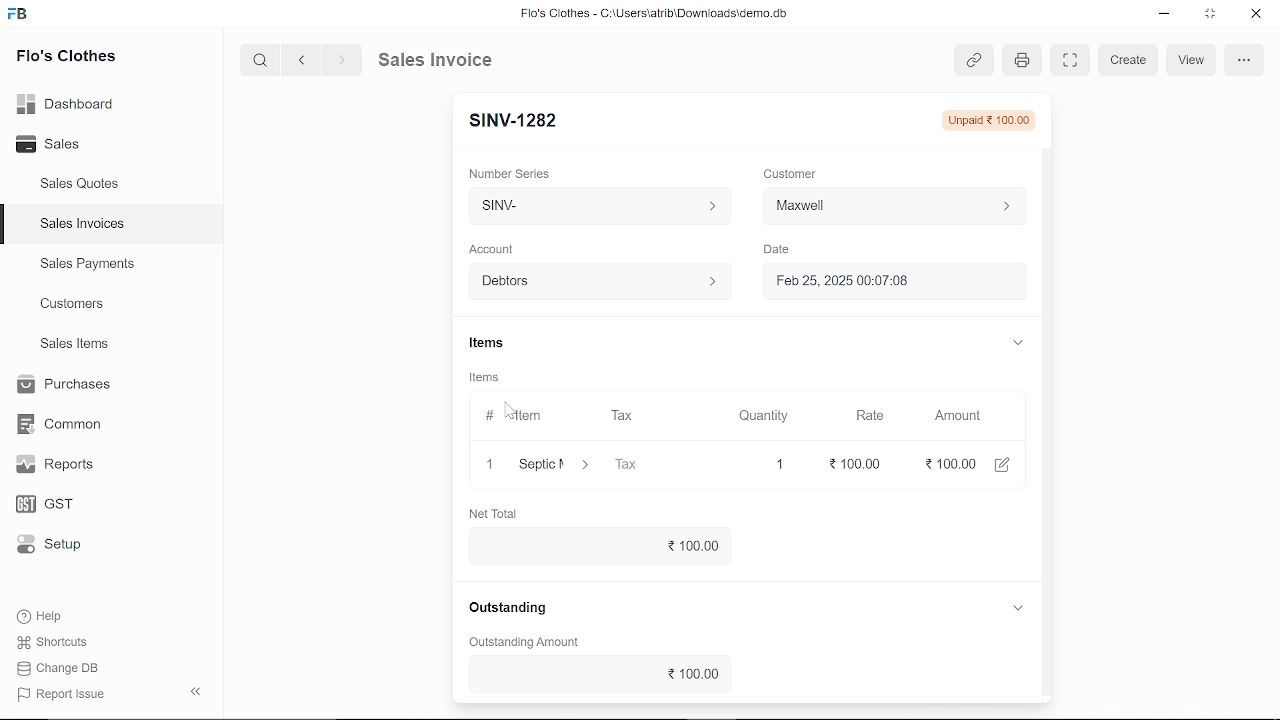 This screenshot has height=720, width=1280. Describe the element at coordinates (74, 303) in the screenshot. I see `Customers` at that location.